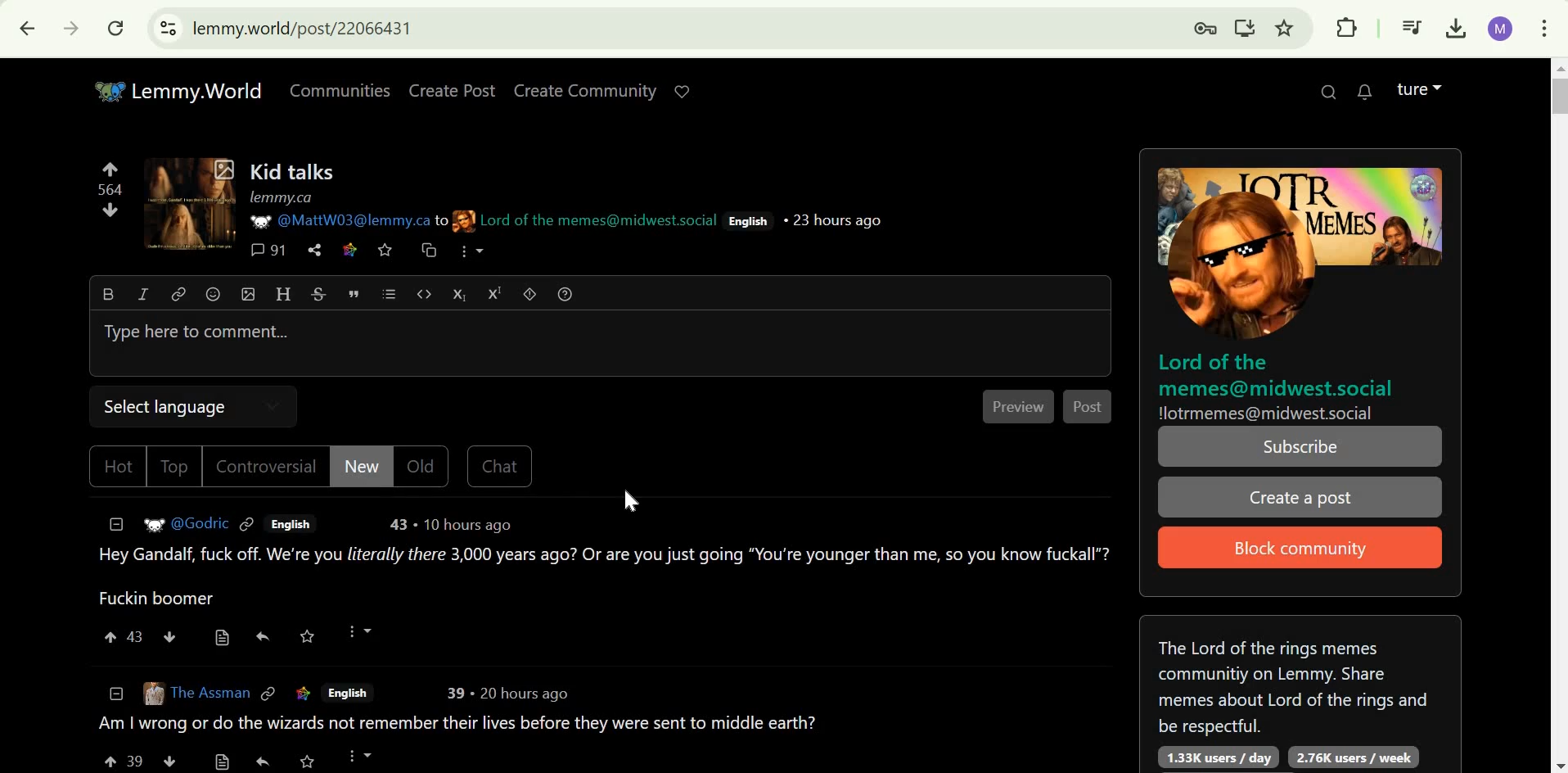  I want to click on Hot, so click(117, 466).